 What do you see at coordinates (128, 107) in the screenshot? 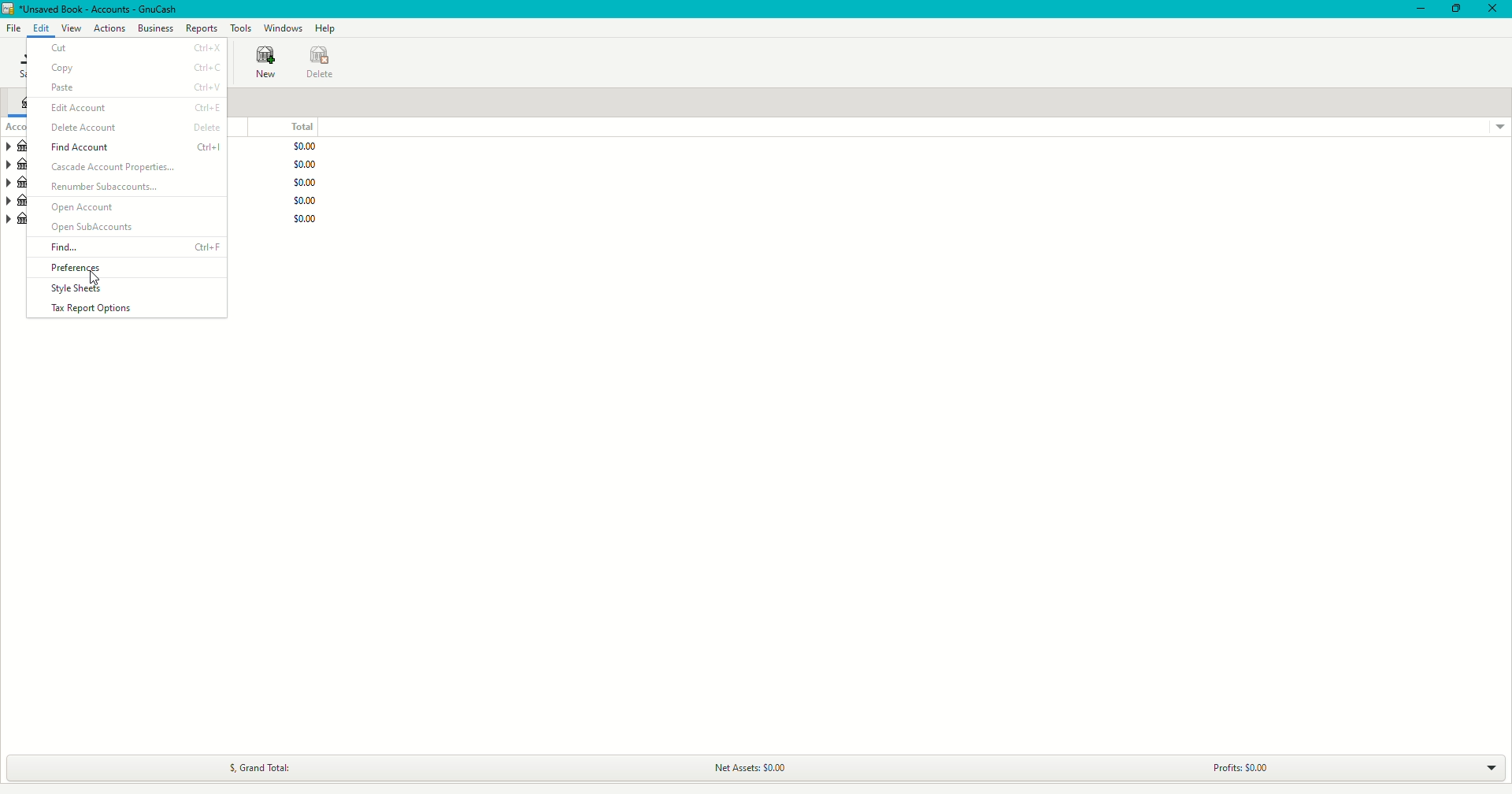
I see `Edit account` at bounding box center [128, 107].